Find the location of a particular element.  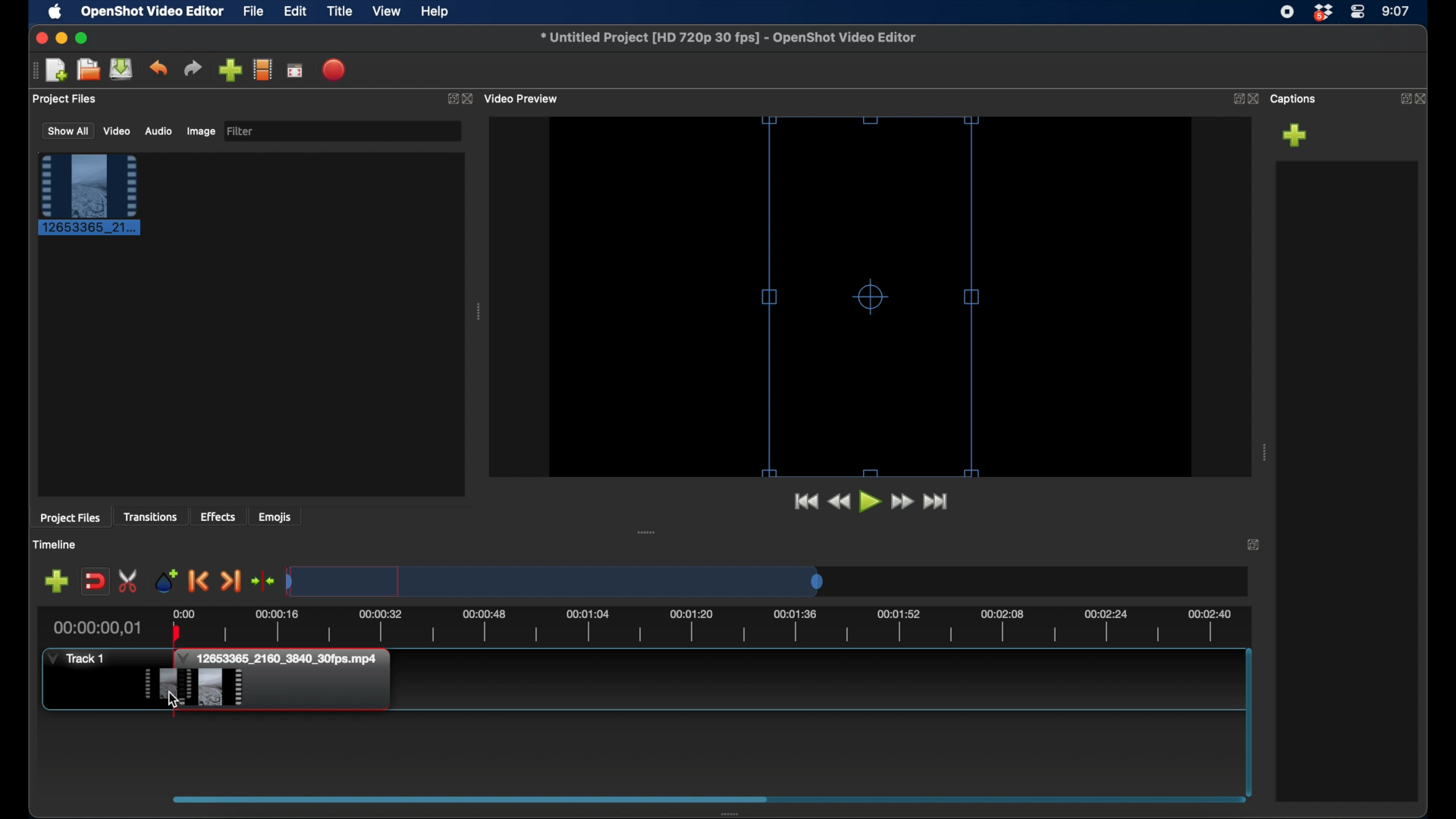

rewind is located at coordinates (839, 501).